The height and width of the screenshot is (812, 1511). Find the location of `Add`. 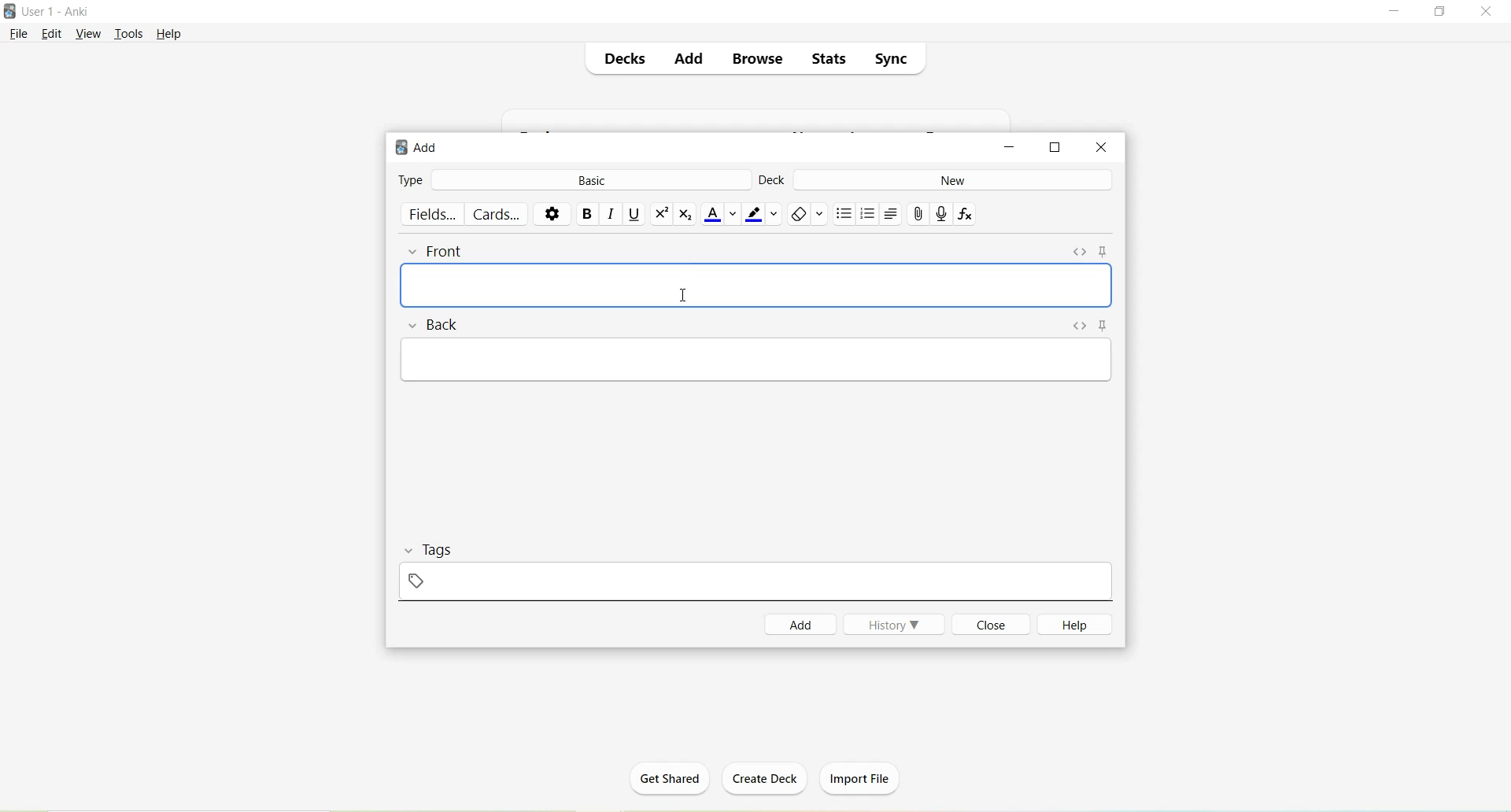

Add is located at coordinates (686, 60).